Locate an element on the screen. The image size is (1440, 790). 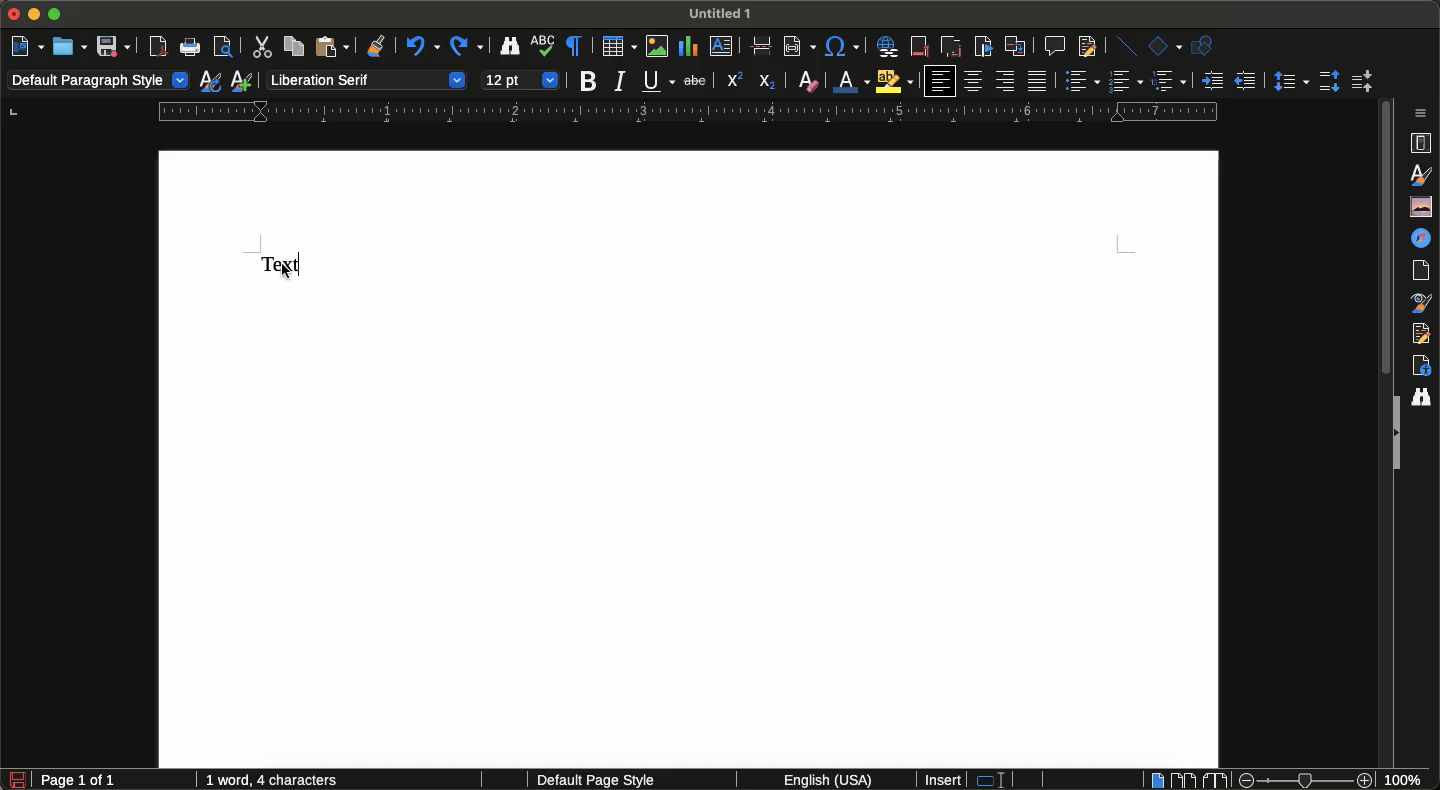
Insert chart is located at coordinates (688, 46).